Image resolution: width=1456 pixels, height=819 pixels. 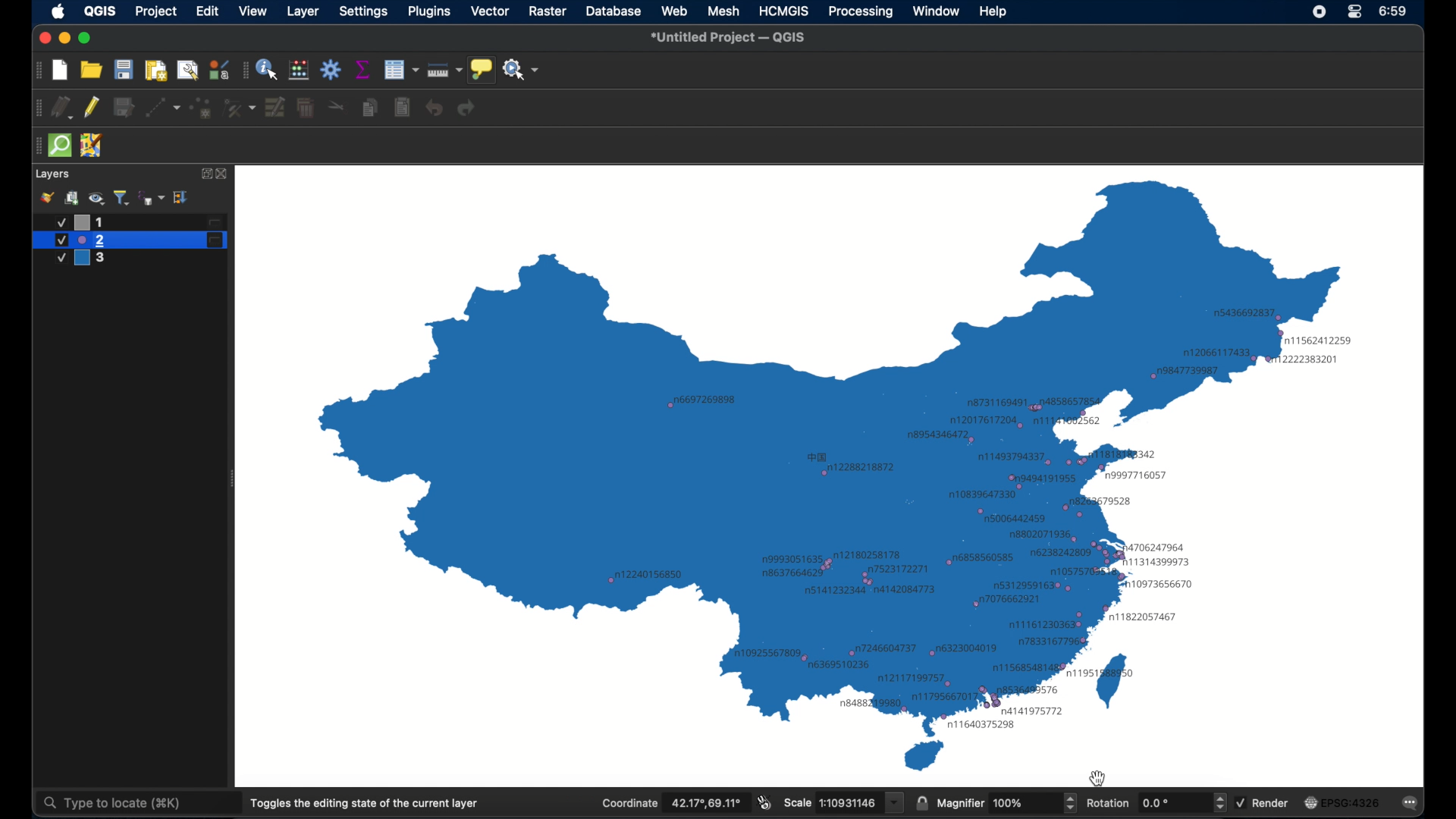 I want to click on processing, so click(x=860, y=11).